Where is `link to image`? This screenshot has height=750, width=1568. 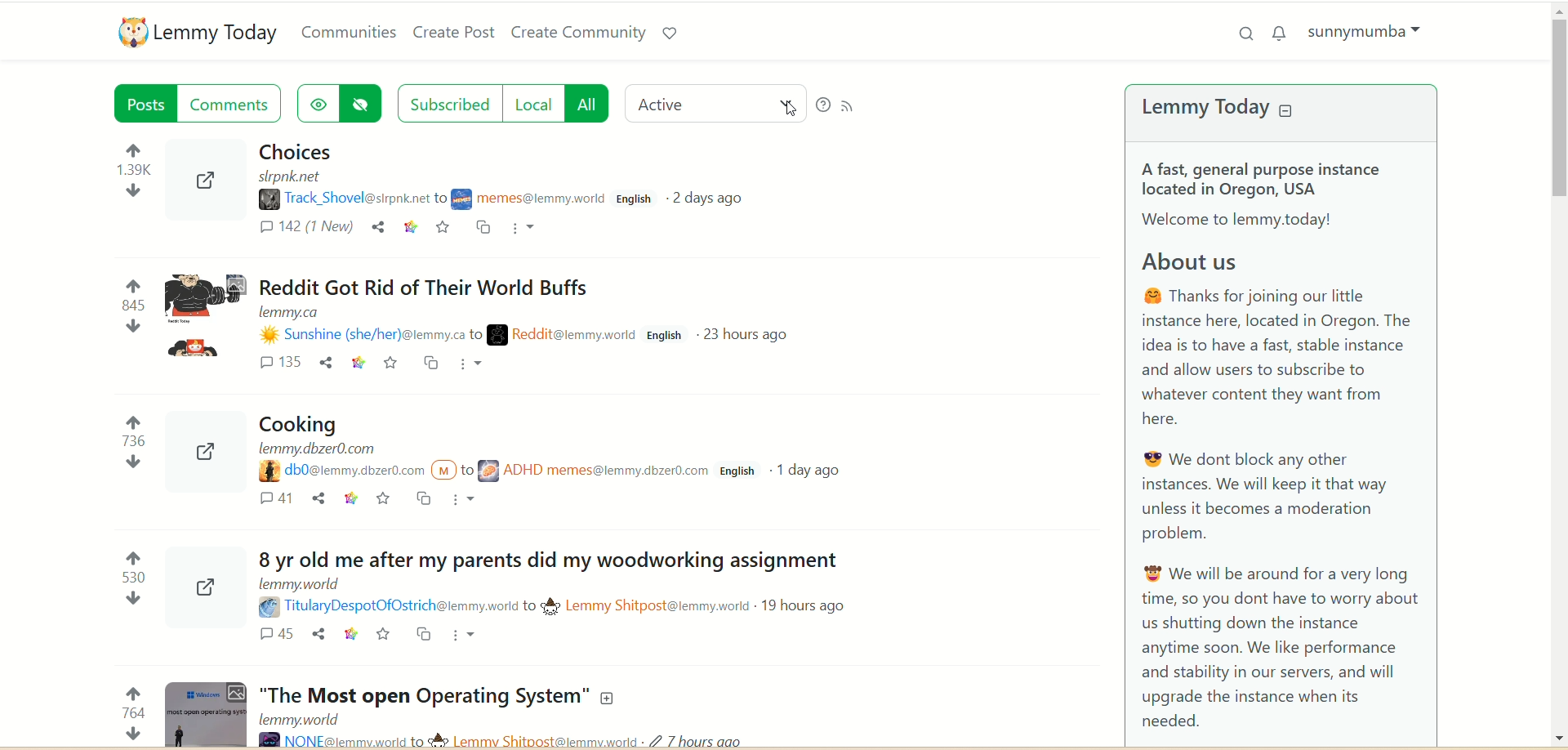 link to image is located at coordinates (207, 181).